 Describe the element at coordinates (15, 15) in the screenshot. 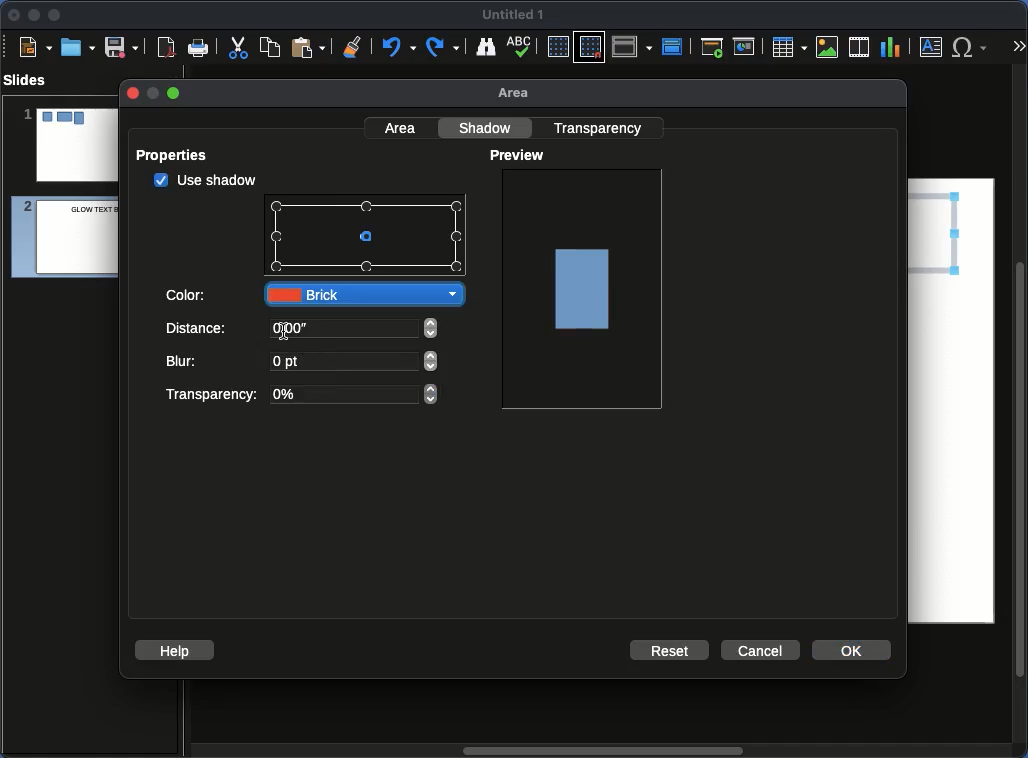

I see `Close` at that location.